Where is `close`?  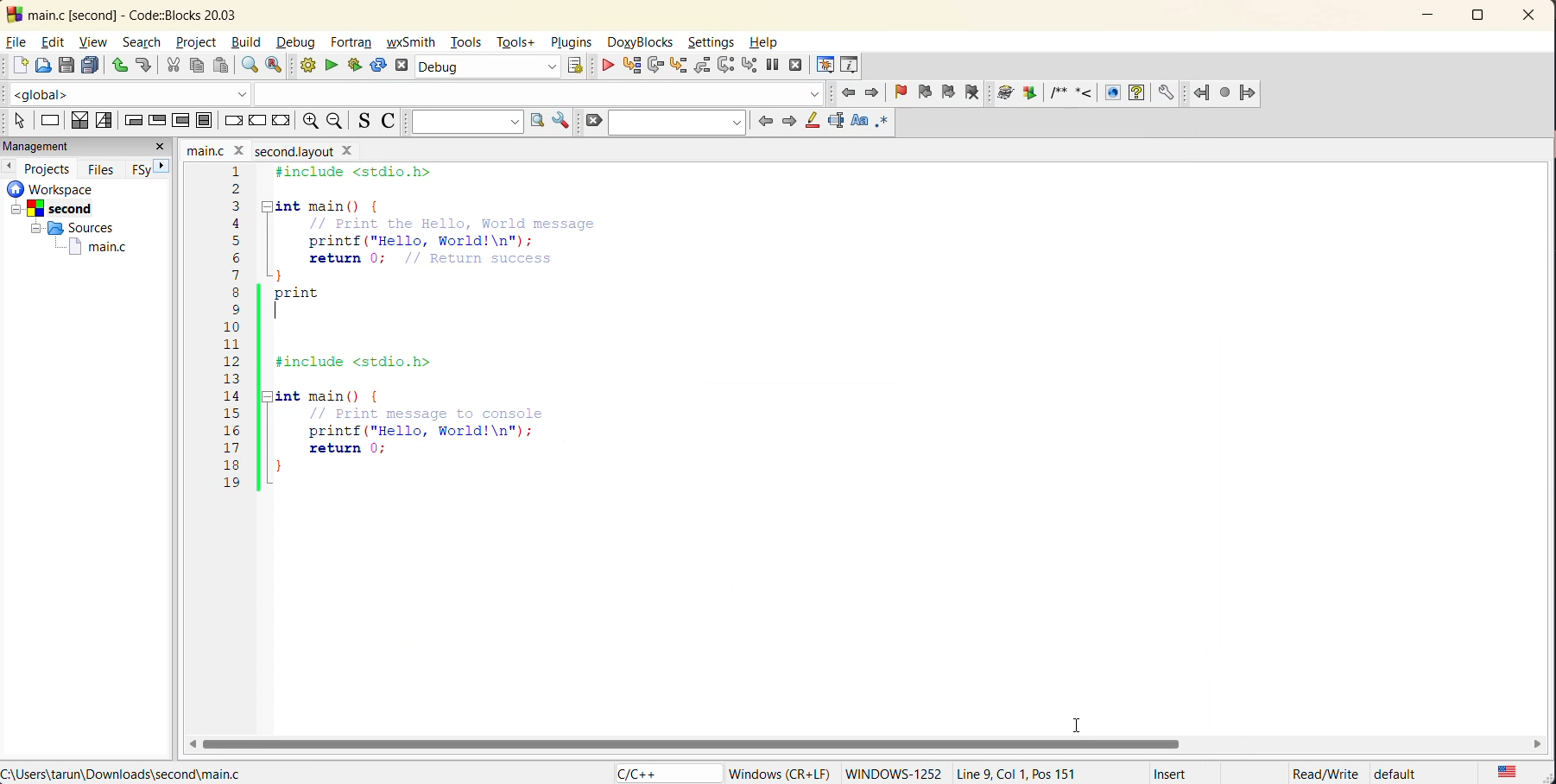 close is located at coordinates (239, 149).